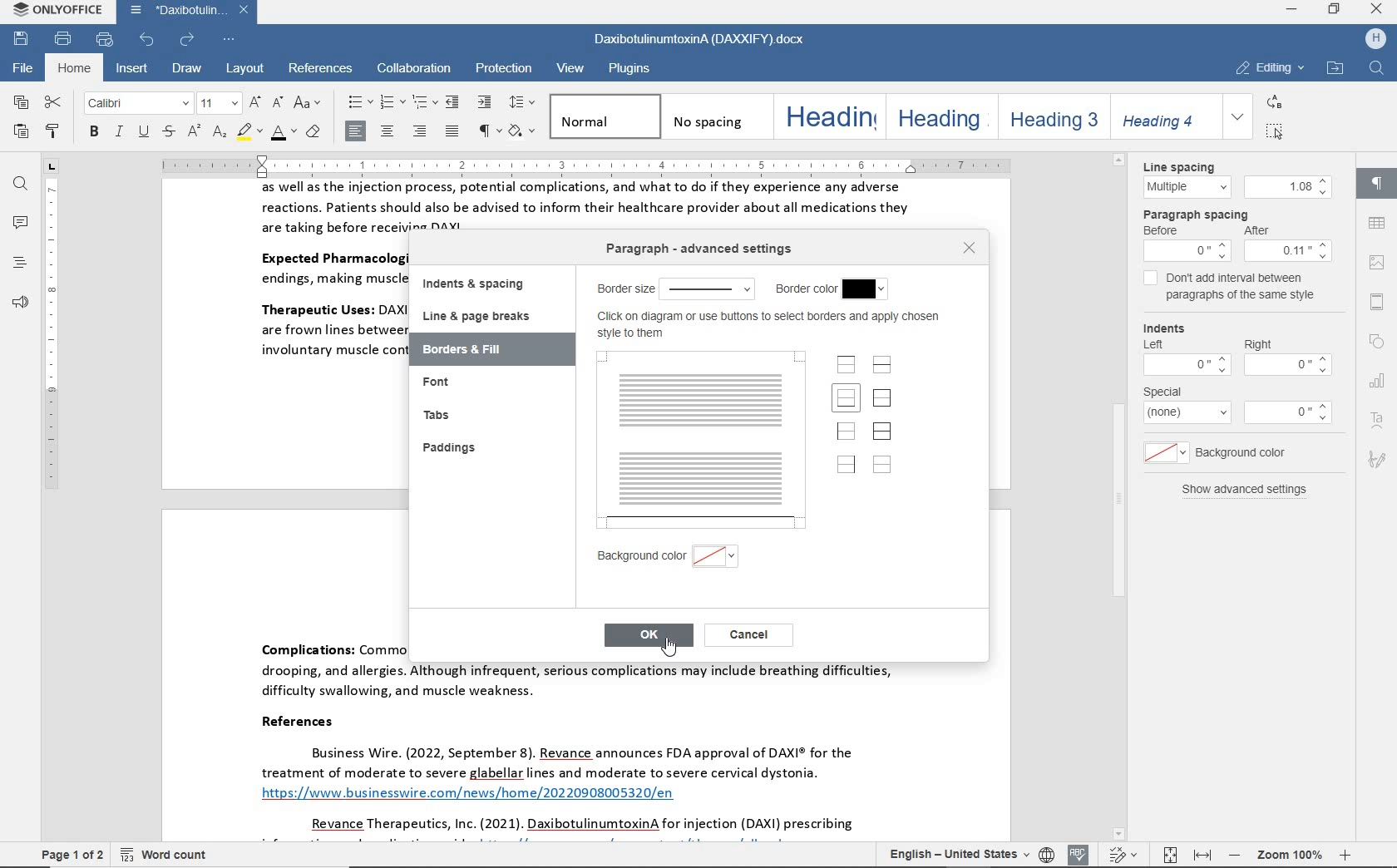 The width and height of the screenshot is (1397, 868). Describe the element at coordinates (503, 67) in the screenshot. I see `protection` at that location.